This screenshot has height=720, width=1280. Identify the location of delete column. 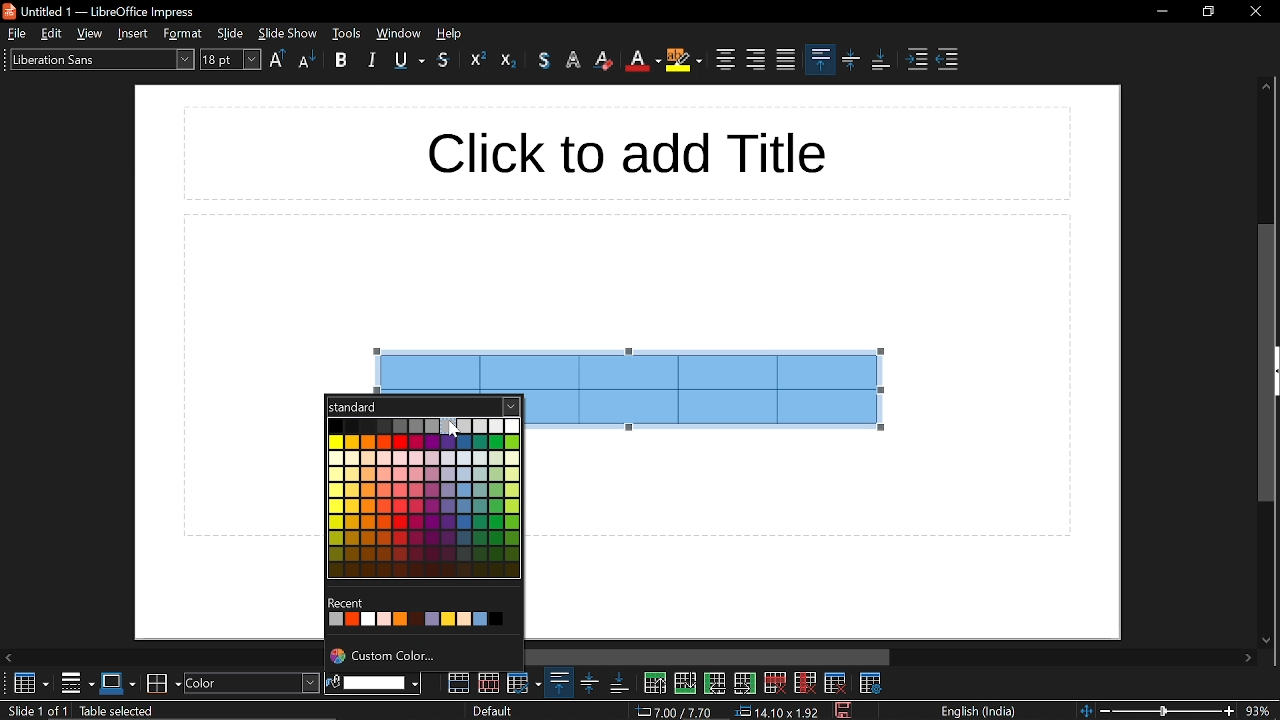
(803, 682).